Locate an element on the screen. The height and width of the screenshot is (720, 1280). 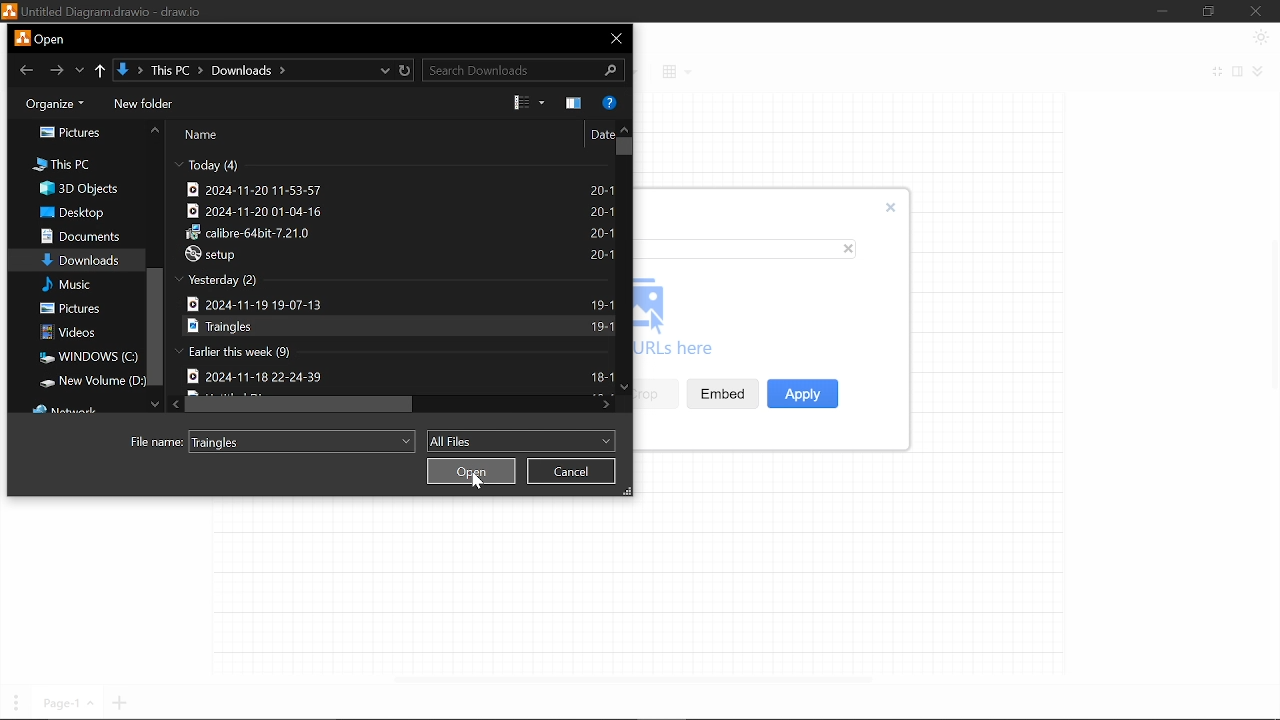
Yesterday (2) is located at coordinates (219, 282).